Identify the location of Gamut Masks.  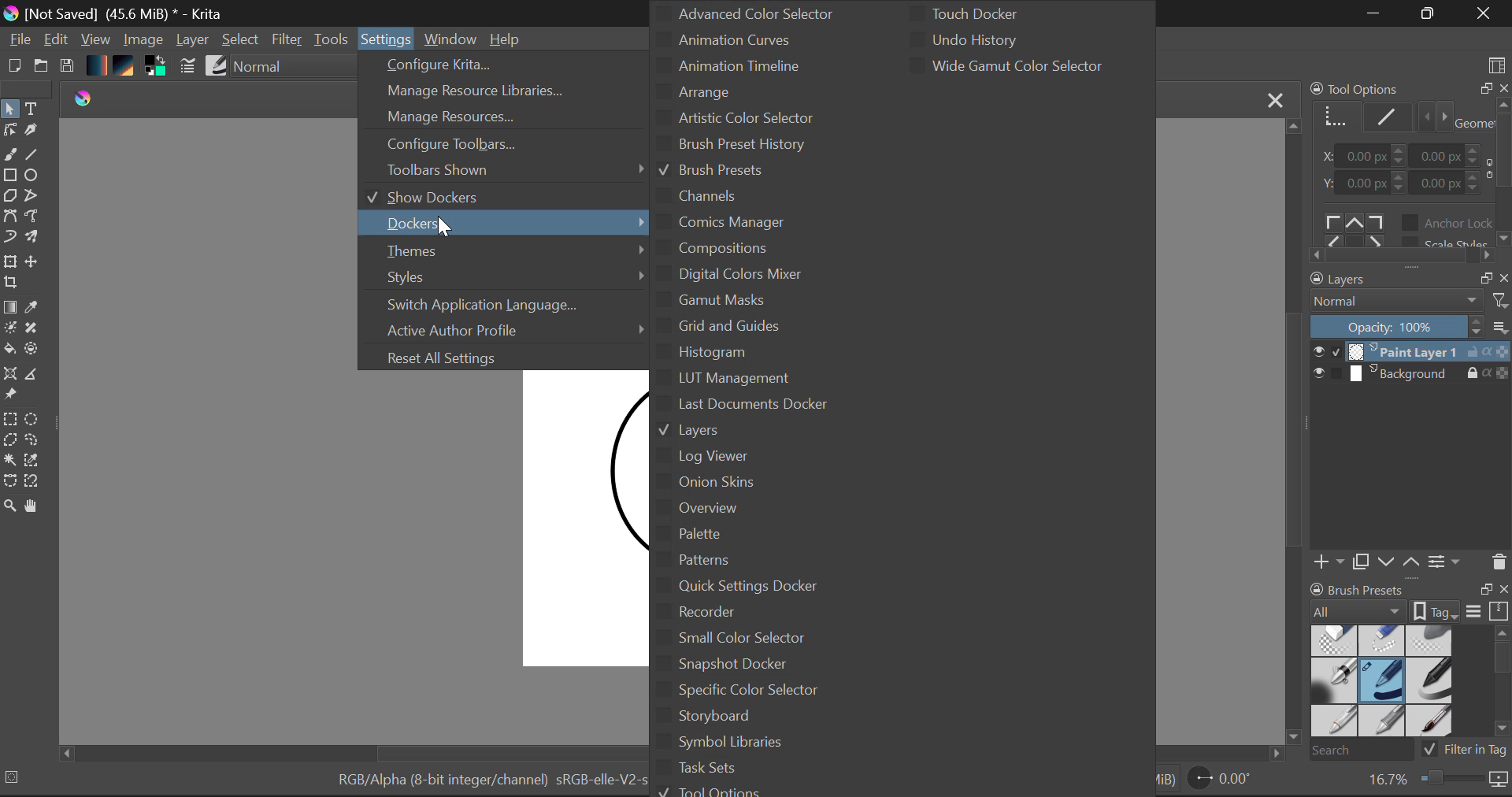
(741, 299).